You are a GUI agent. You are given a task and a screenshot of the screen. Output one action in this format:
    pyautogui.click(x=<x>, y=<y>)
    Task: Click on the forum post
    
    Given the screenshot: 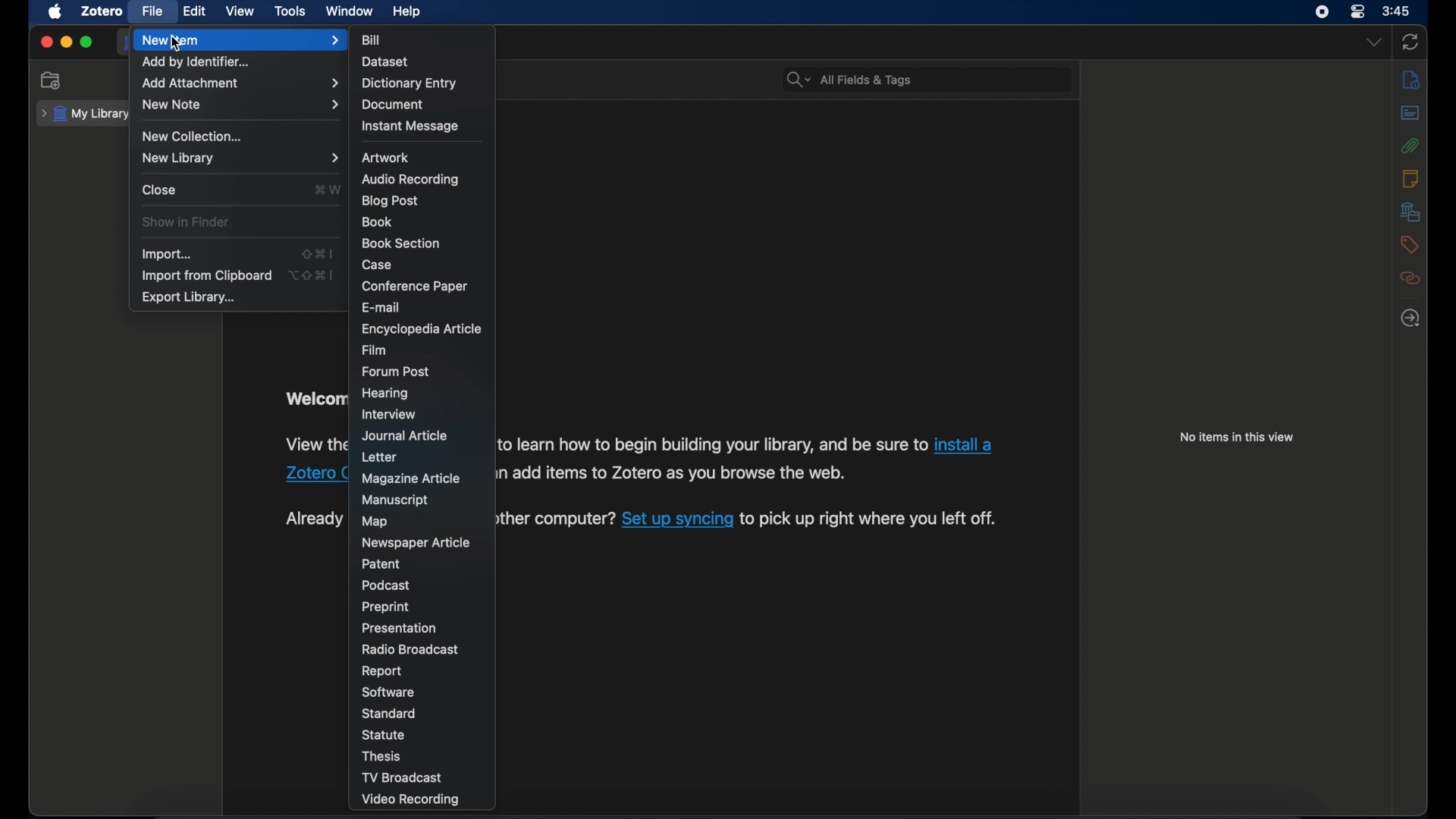 What is the action you would take?
    pyautogui.click(x=397, y=372)
    